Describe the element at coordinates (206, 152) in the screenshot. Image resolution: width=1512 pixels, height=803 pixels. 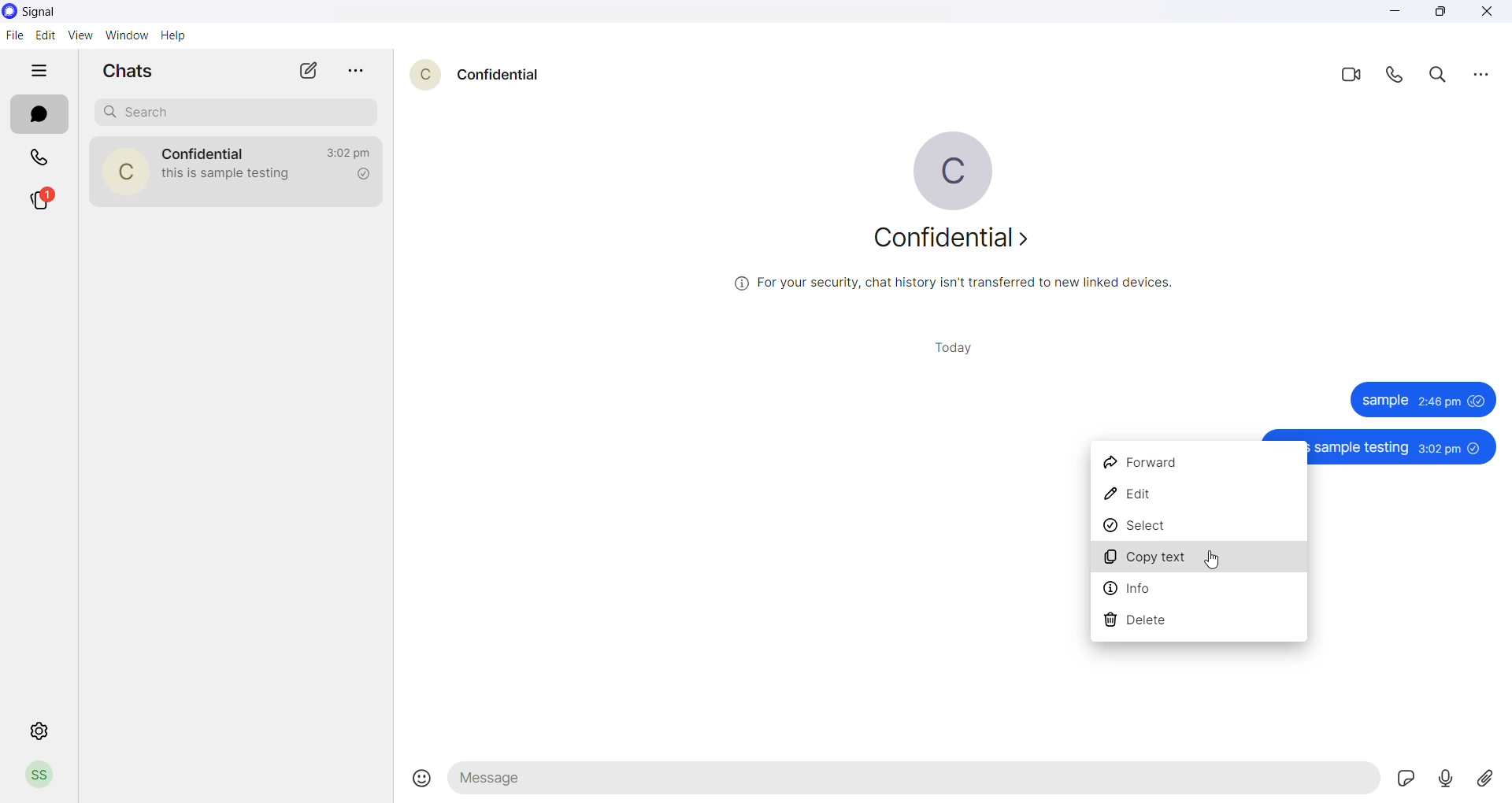
I see `contact name` at that location.